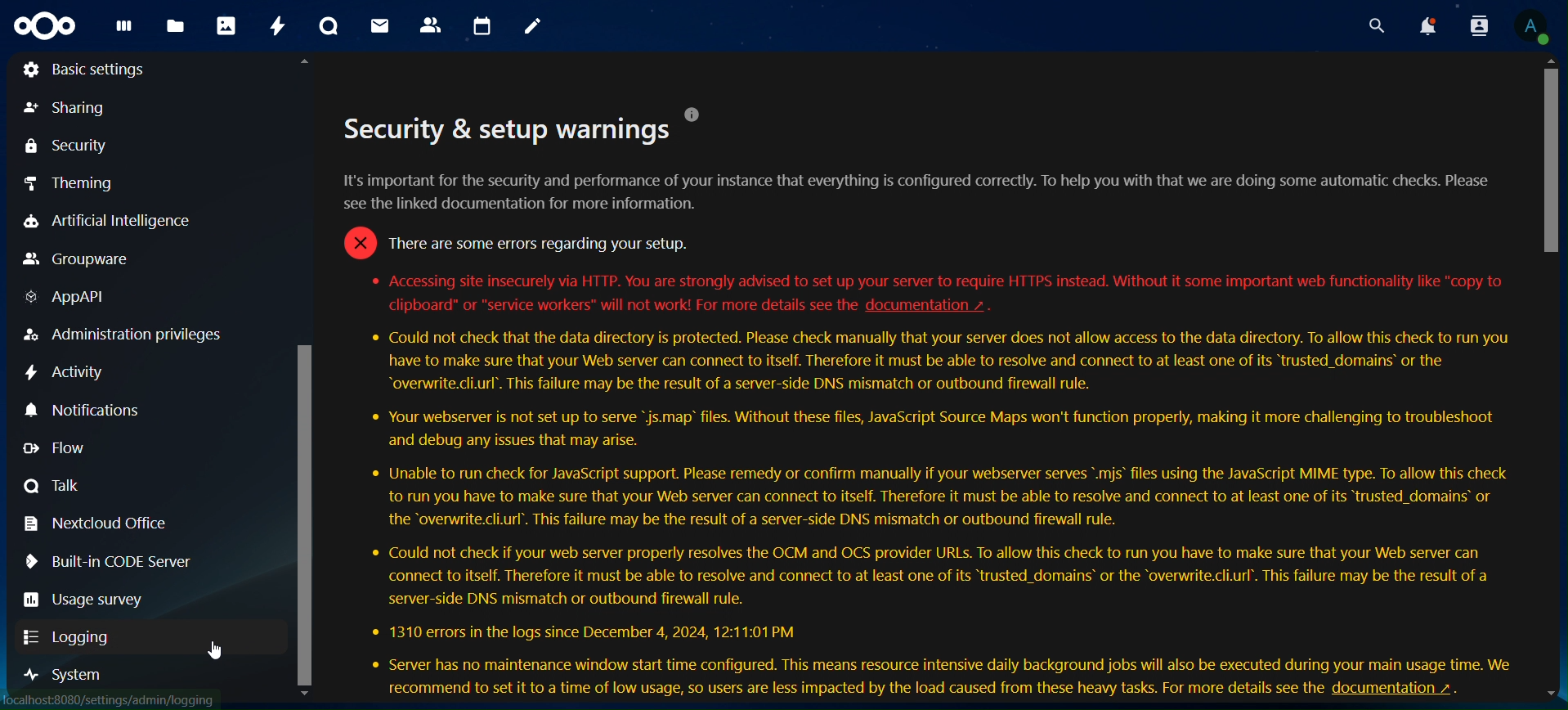  I want to click on dashboard, so click(123, 32).